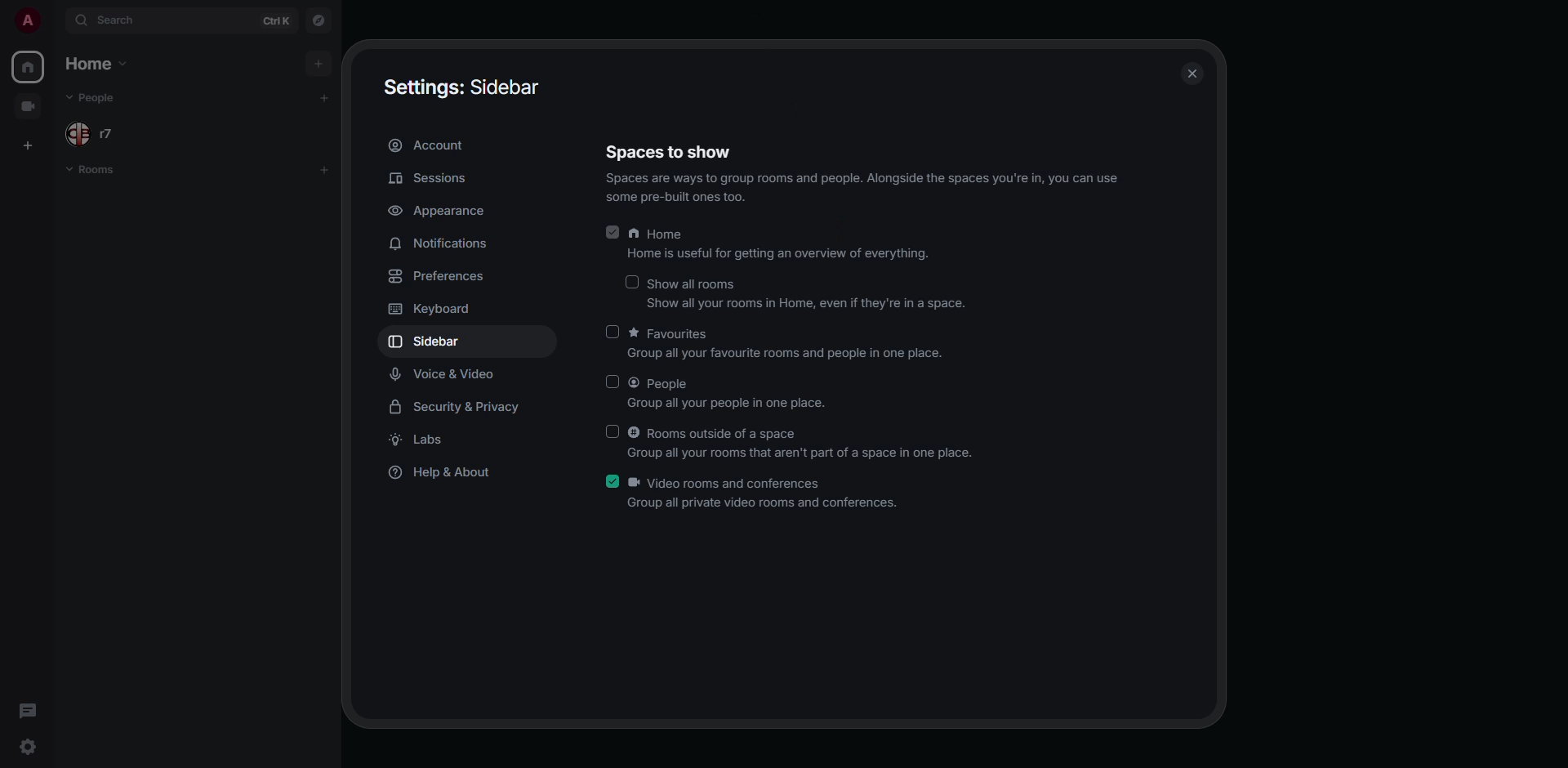 The height and width of the screenshot is (768, 1568). I want to click on threads, so click(27, 708).